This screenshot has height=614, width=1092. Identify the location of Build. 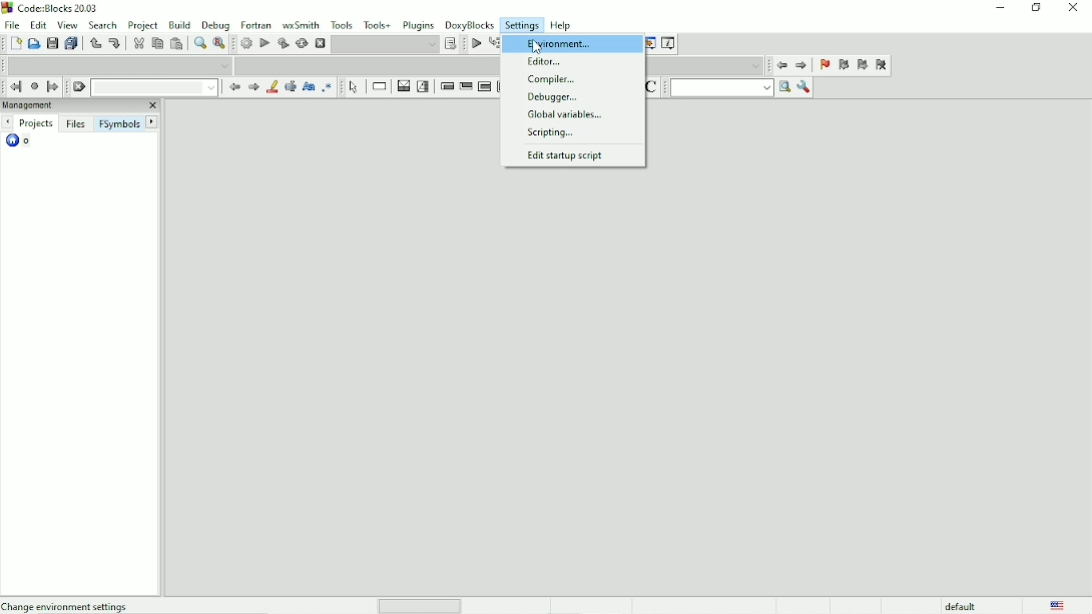
(180, 25).